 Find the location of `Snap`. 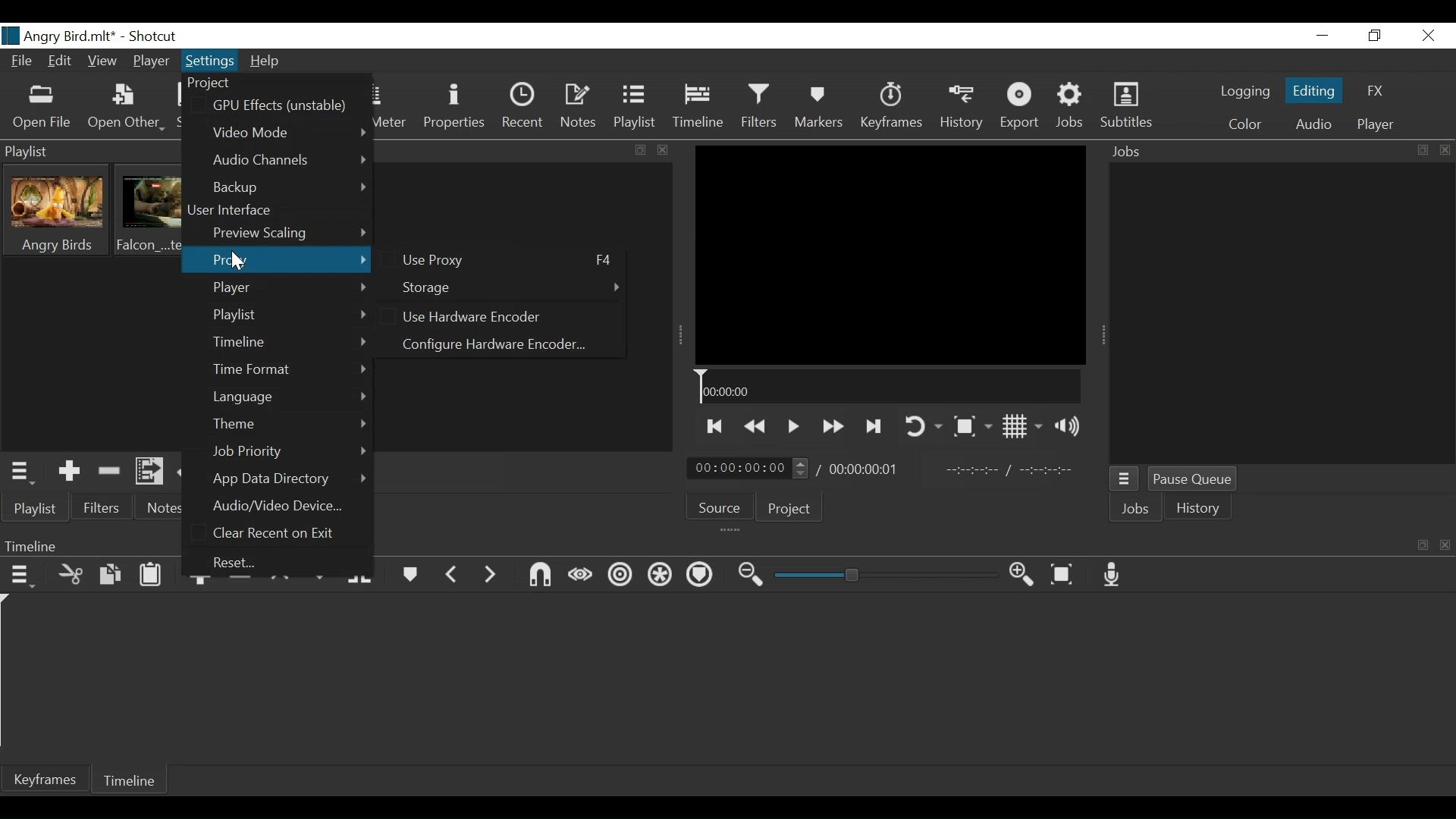

Snap is located at coordinates (536, 575).